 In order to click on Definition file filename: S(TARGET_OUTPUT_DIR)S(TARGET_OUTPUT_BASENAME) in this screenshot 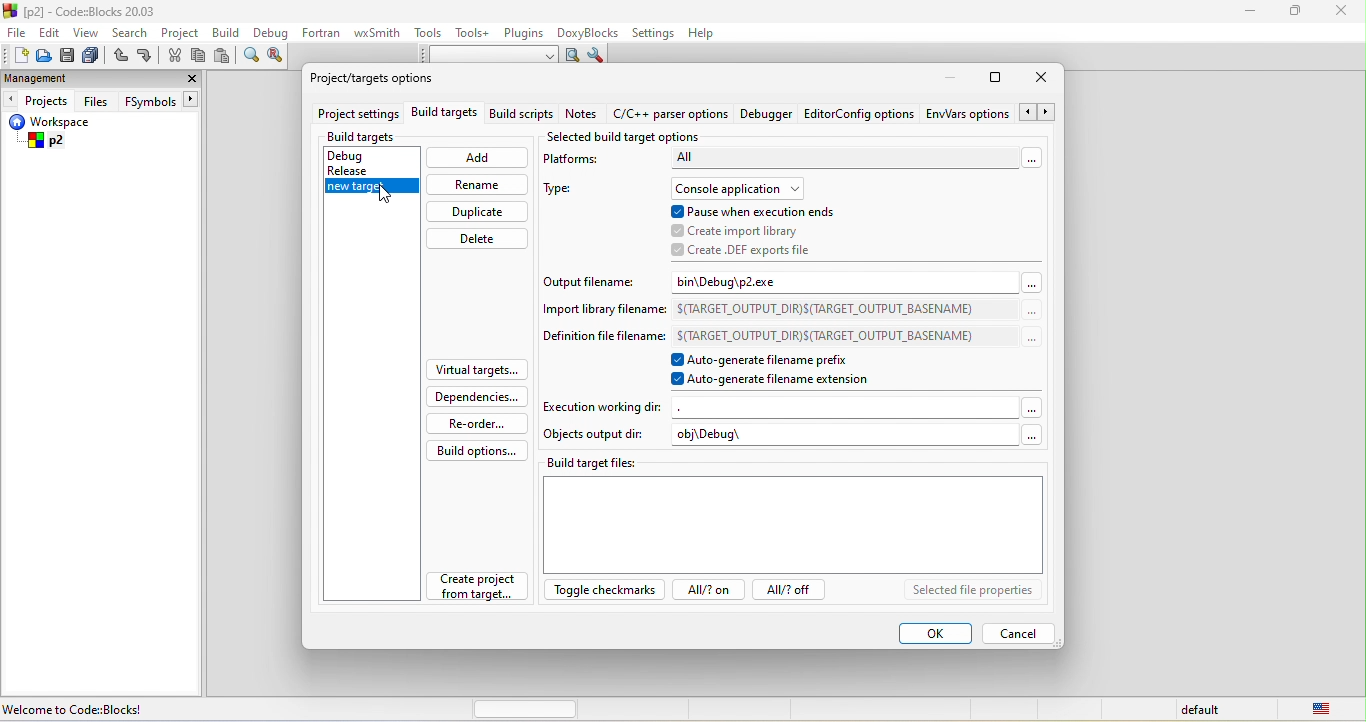, I will do `click(789, 336)`.